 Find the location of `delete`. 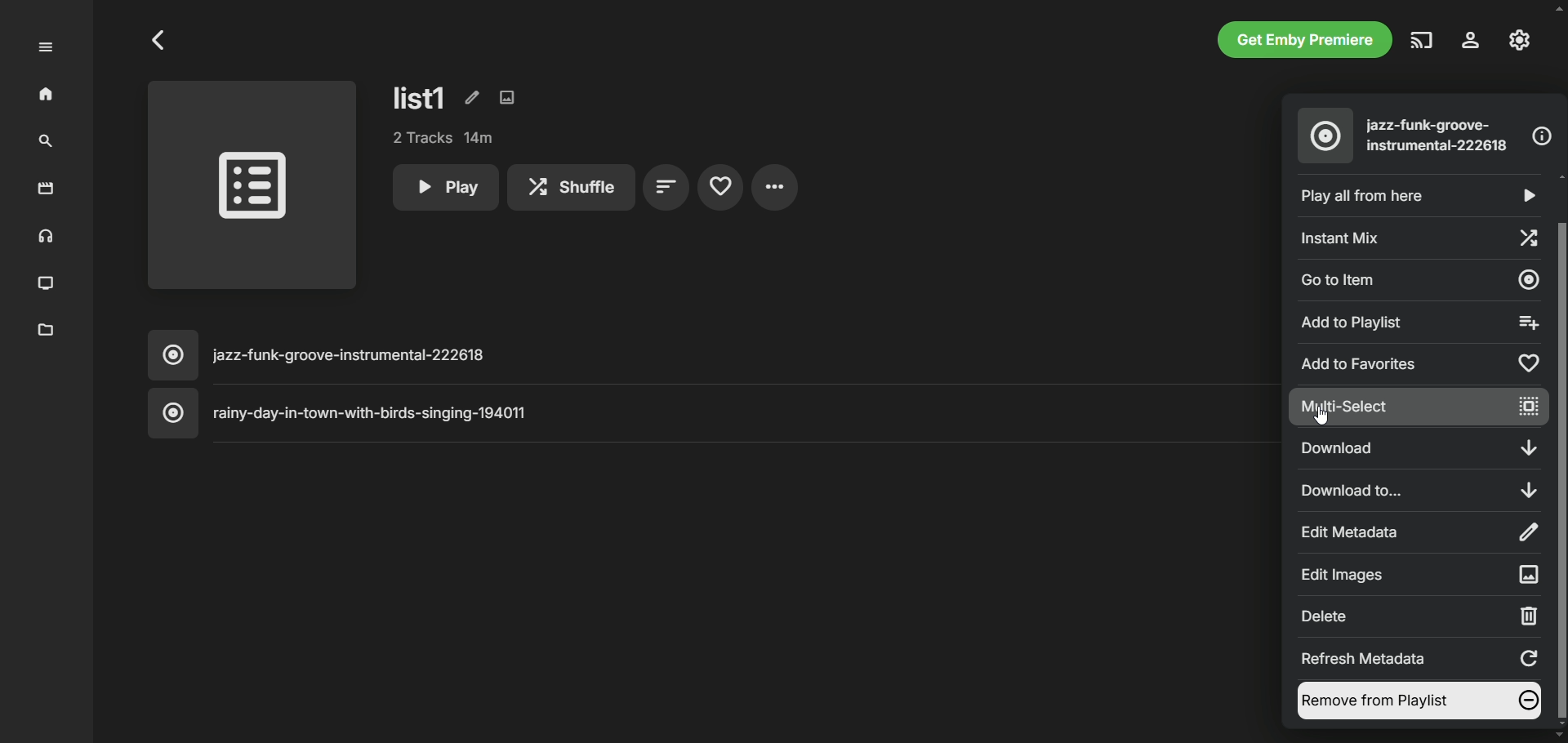

delete is located at coordinates (1419, 616).